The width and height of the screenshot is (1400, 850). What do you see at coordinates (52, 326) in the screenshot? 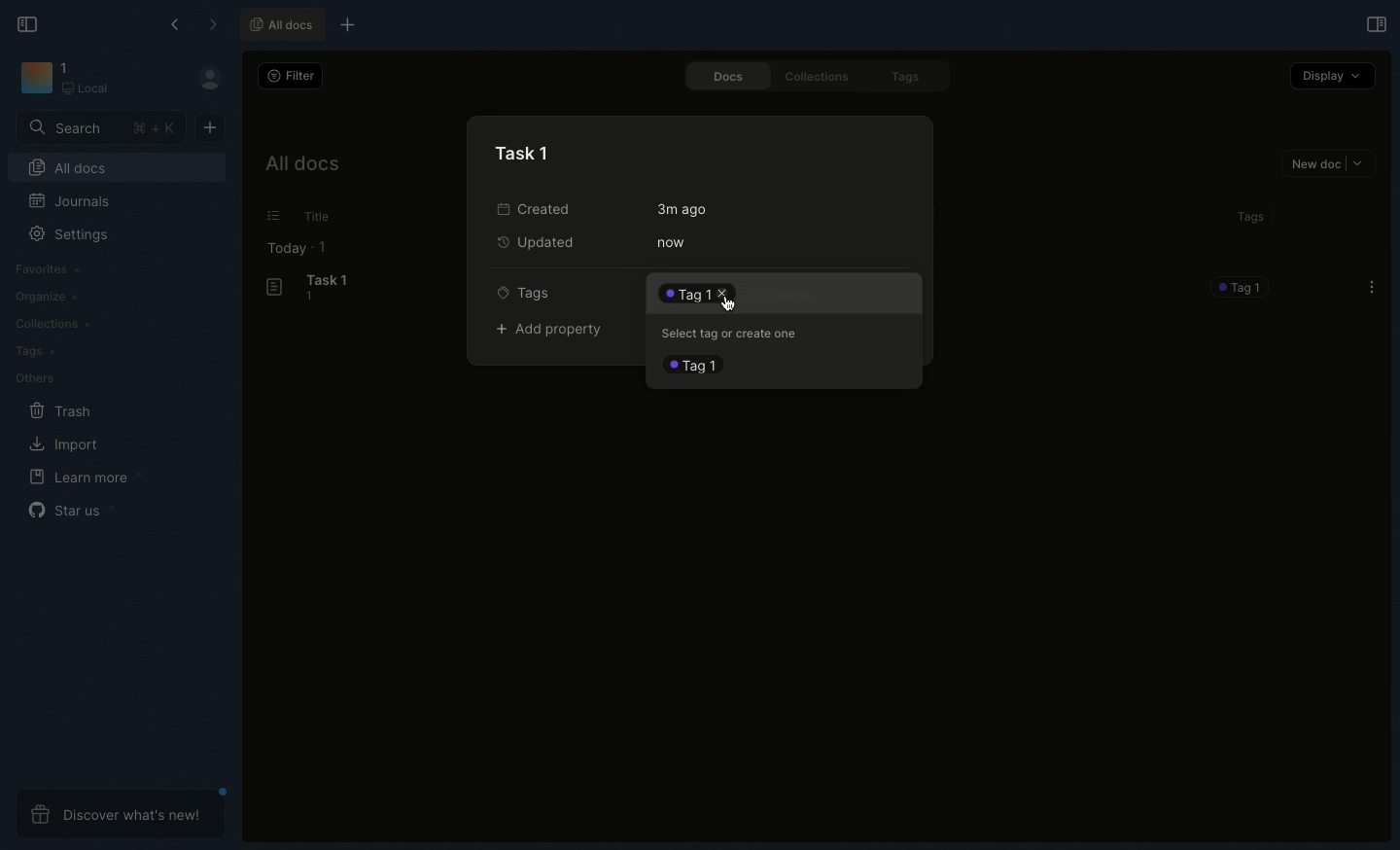
I see `Collections` at bounding box center [52, 326].